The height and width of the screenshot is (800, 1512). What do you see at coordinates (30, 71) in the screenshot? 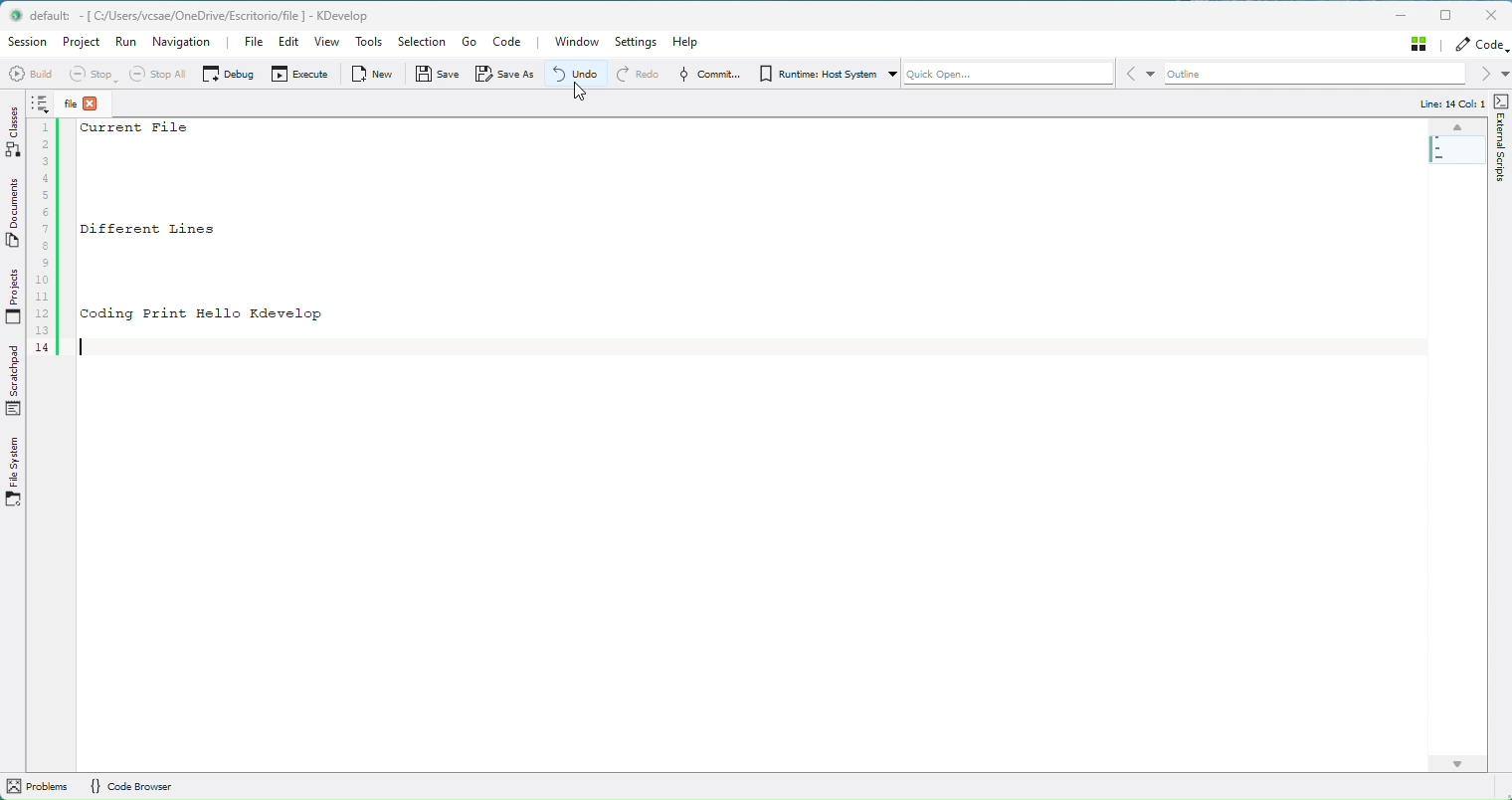
I see `build` at bounding box center [30, 71].